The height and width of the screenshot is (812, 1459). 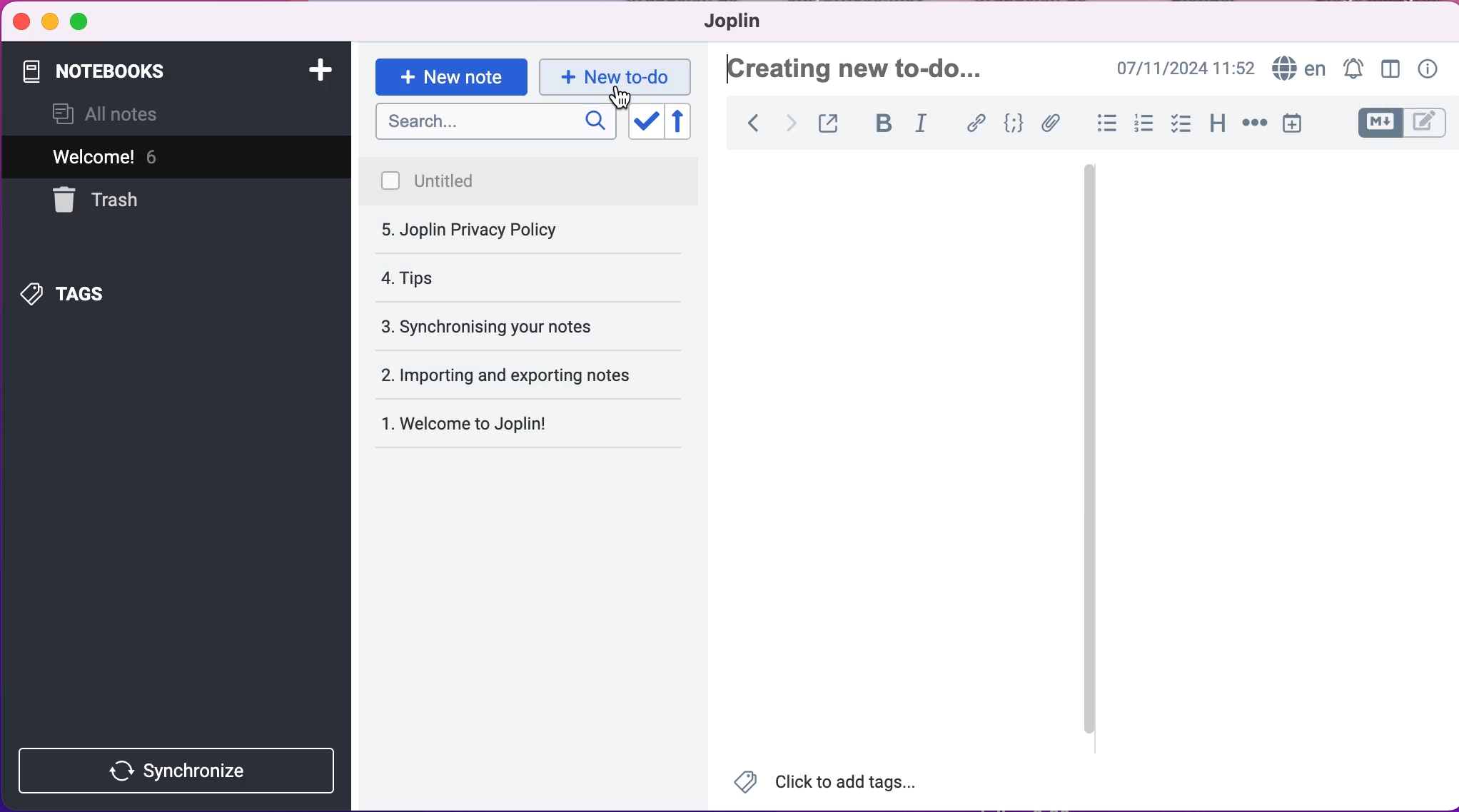 What do you see at coordinates (323, 73) in the screenshot?
I see `add notebook` at bounding box center [323, 73].